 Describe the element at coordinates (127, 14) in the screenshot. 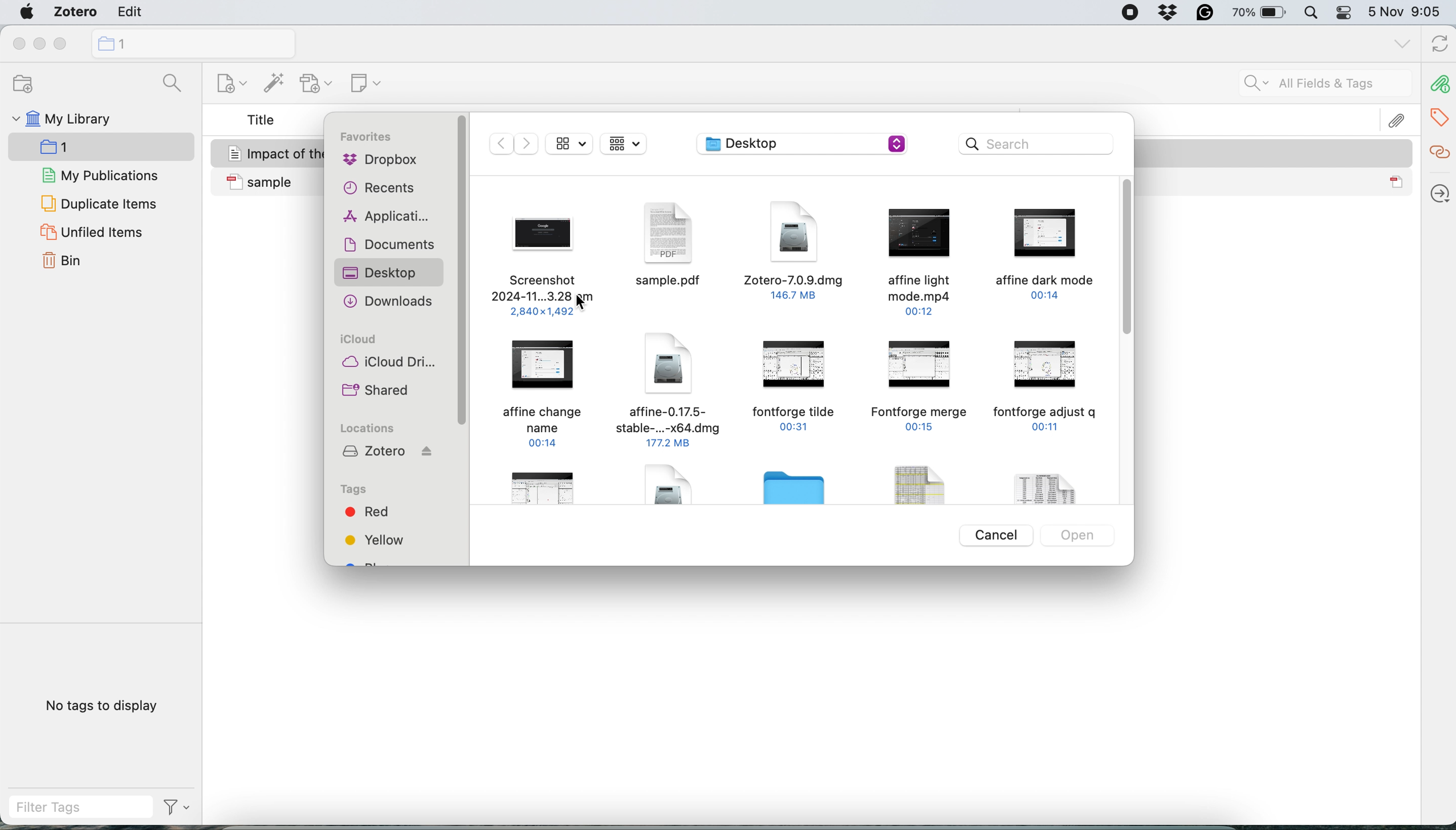

I see `edit` at that location.